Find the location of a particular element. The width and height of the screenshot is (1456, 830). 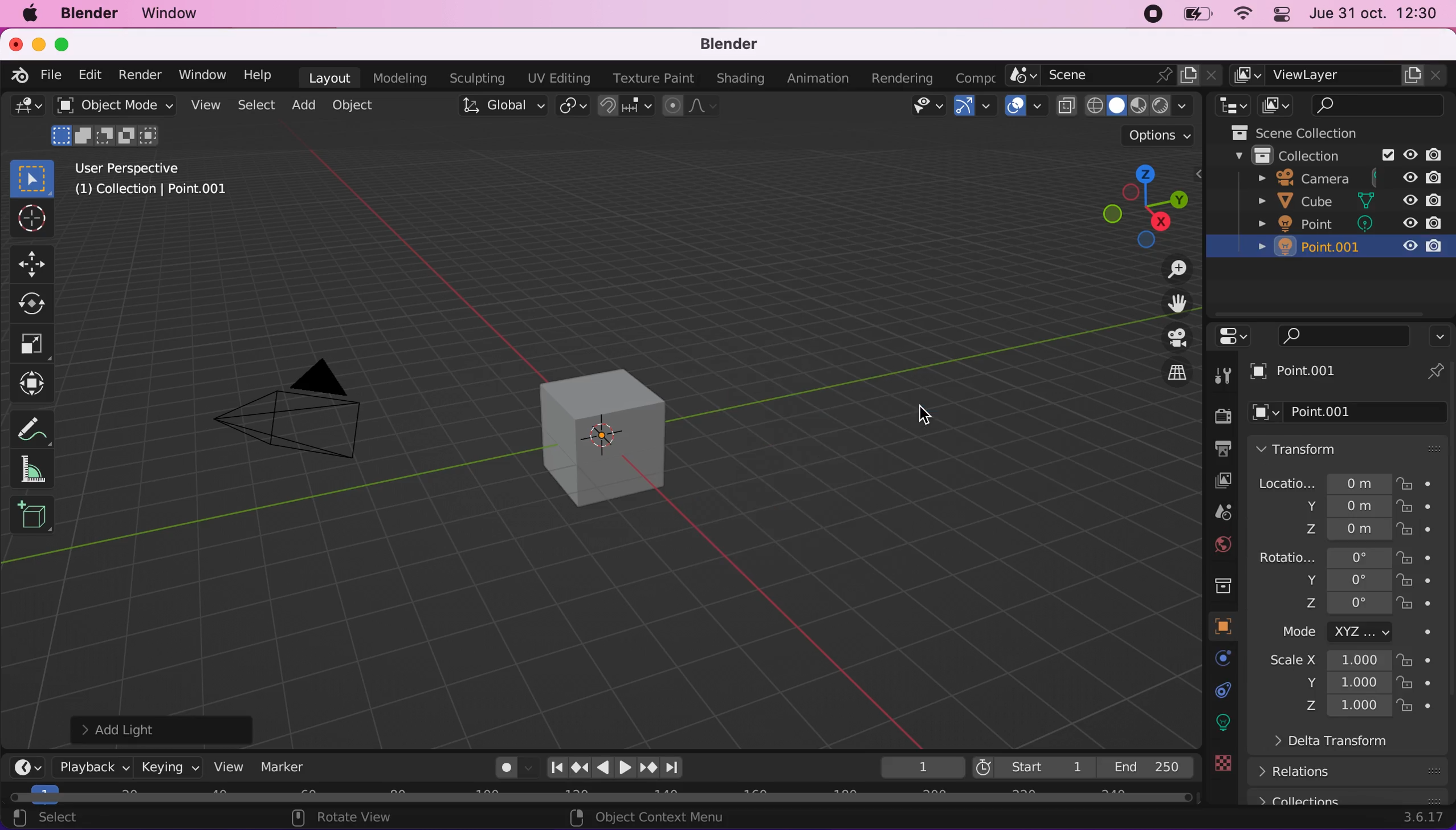

camera is located at coordinates (309, 399).